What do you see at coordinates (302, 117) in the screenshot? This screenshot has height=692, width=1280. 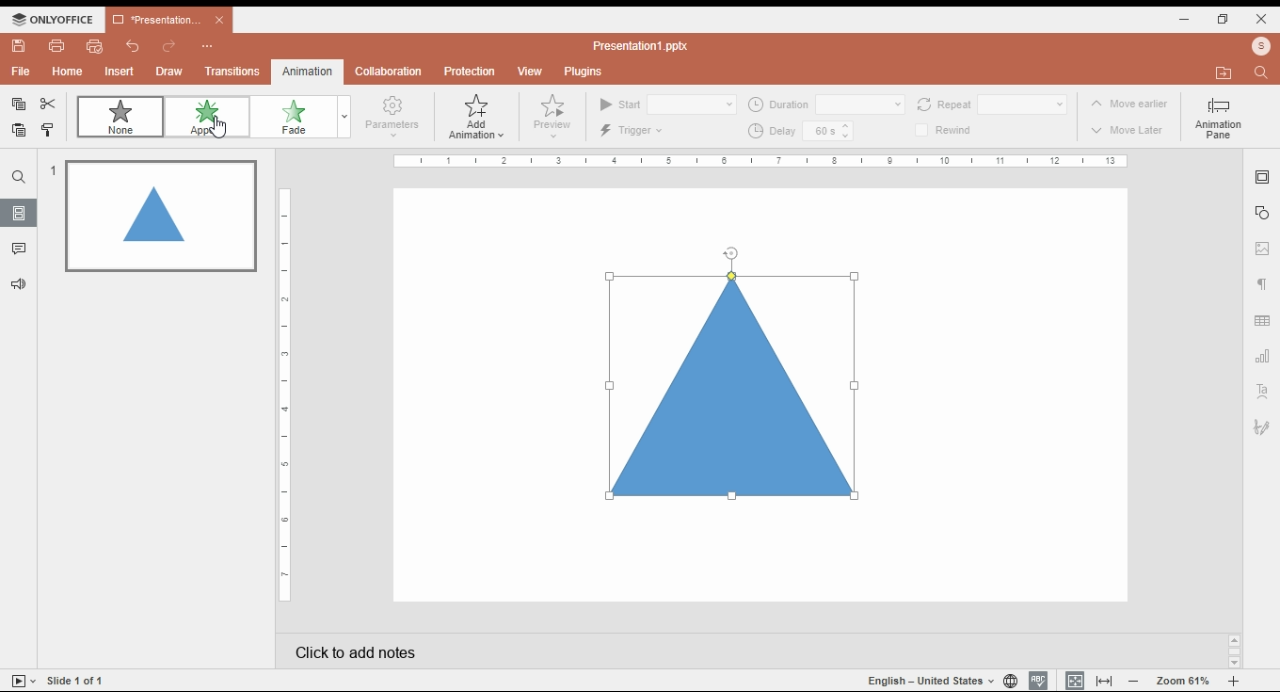 I see `fade` at bounding box center [302, 117].